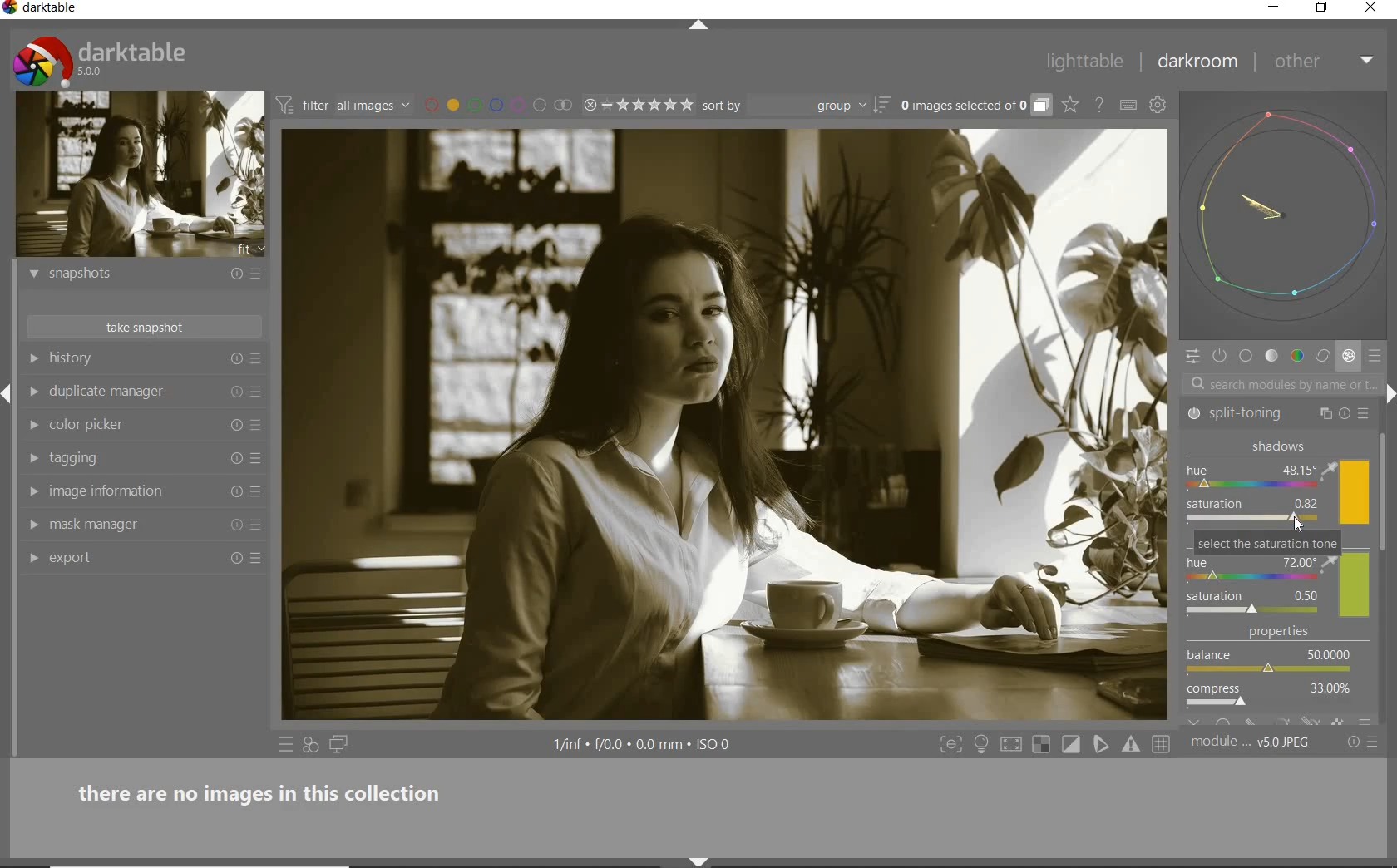 This screenshot has height=868, width=1397. What do you see at coordinates (1158, 107) in the screenshot?
I see `show global preferences` at bounding box center [1158, 107].